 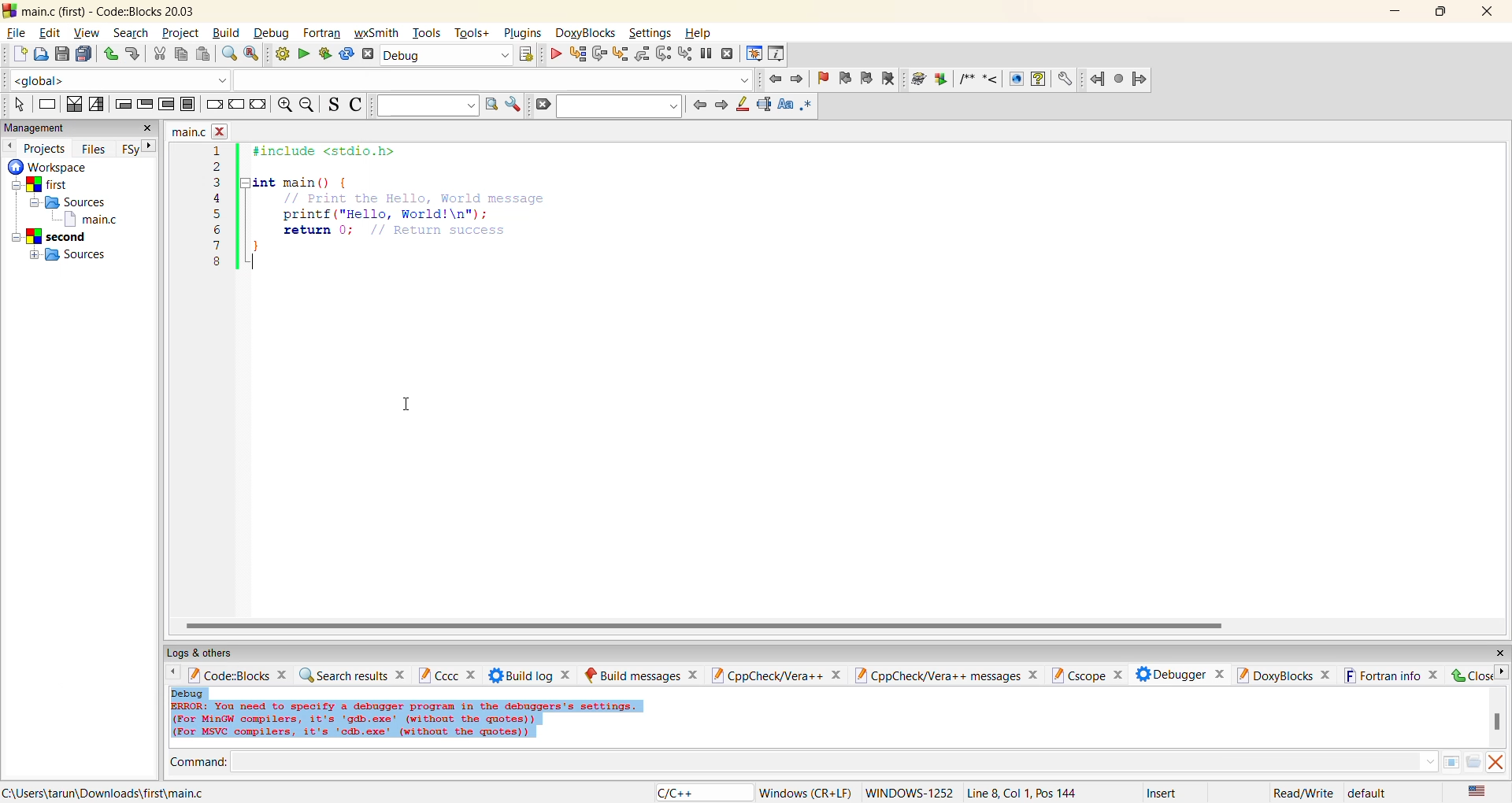 I want to click on abort, so click(x=367, y=55).